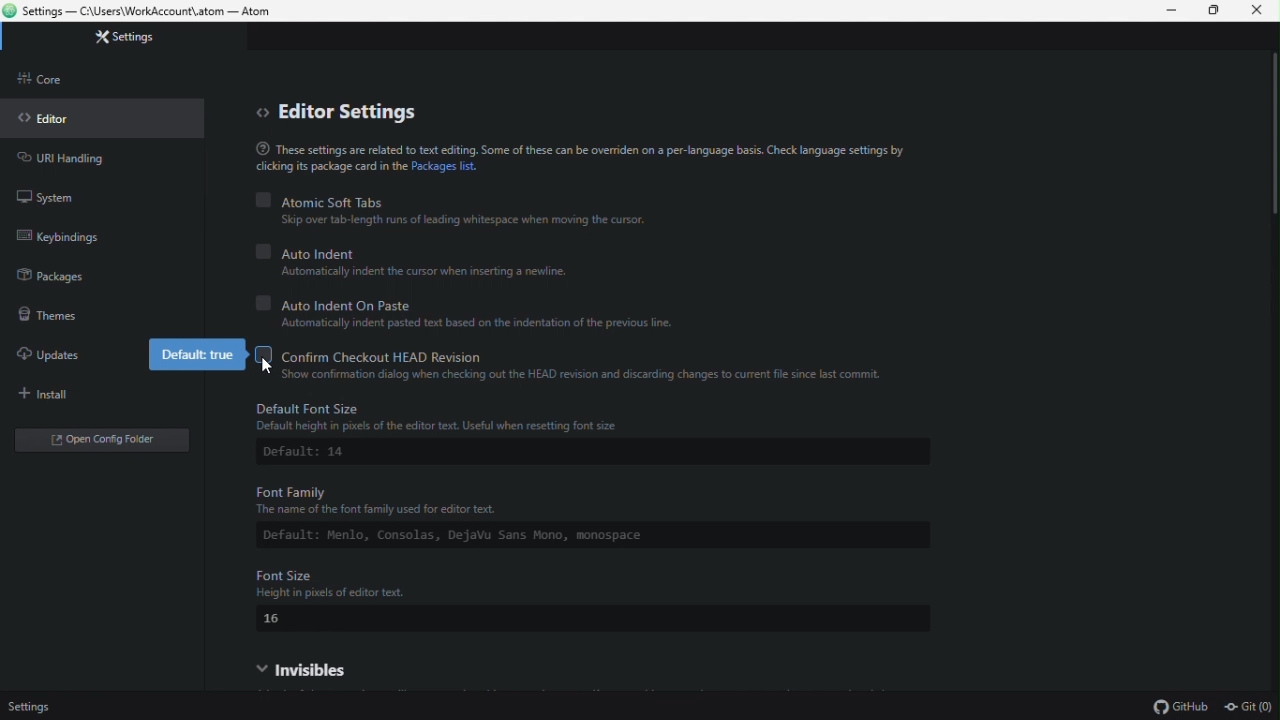  I want to click on git, so click(1250, 706).